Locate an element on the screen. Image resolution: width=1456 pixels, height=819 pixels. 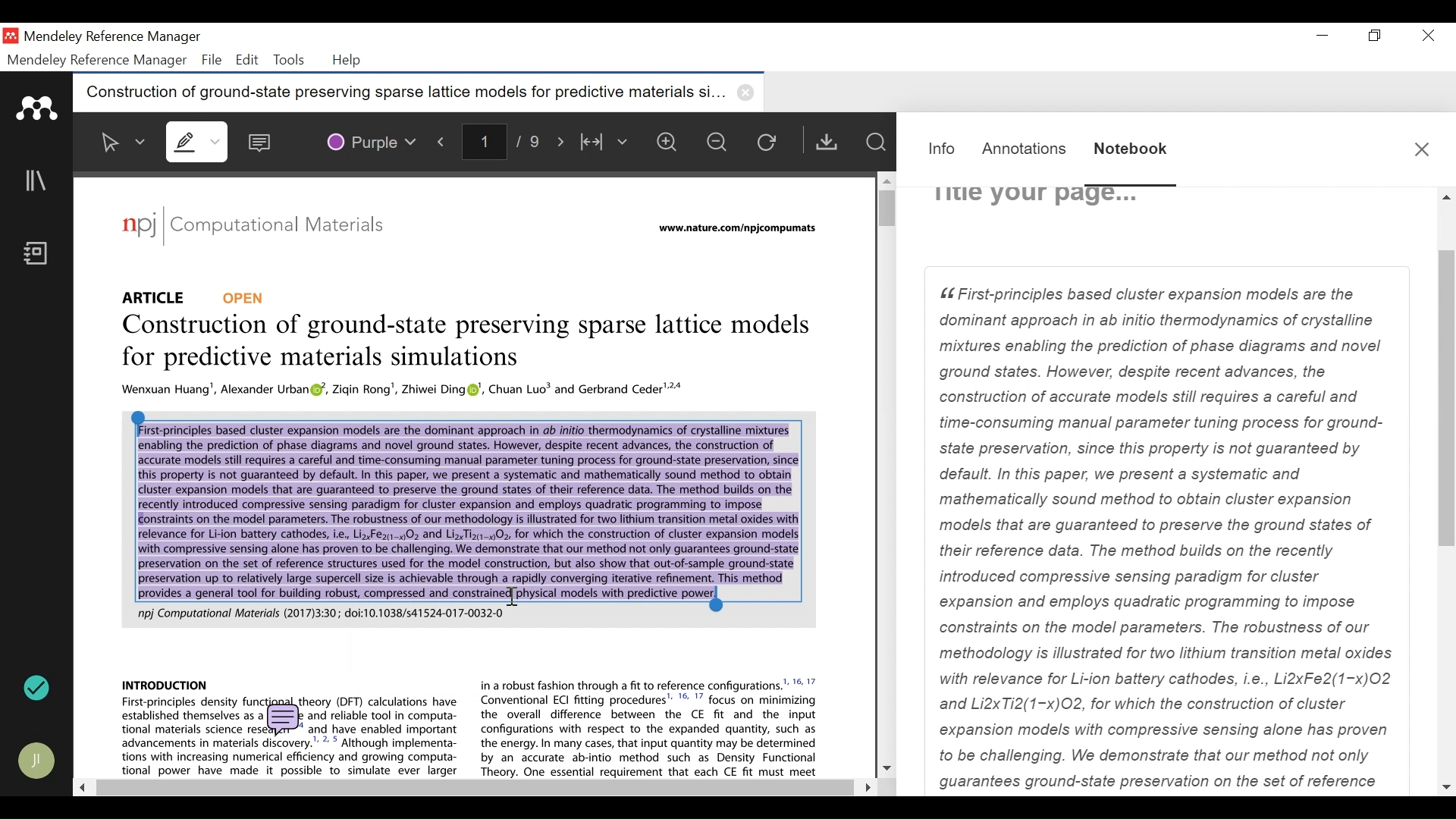
Information  is located at coordinates (943, 149).